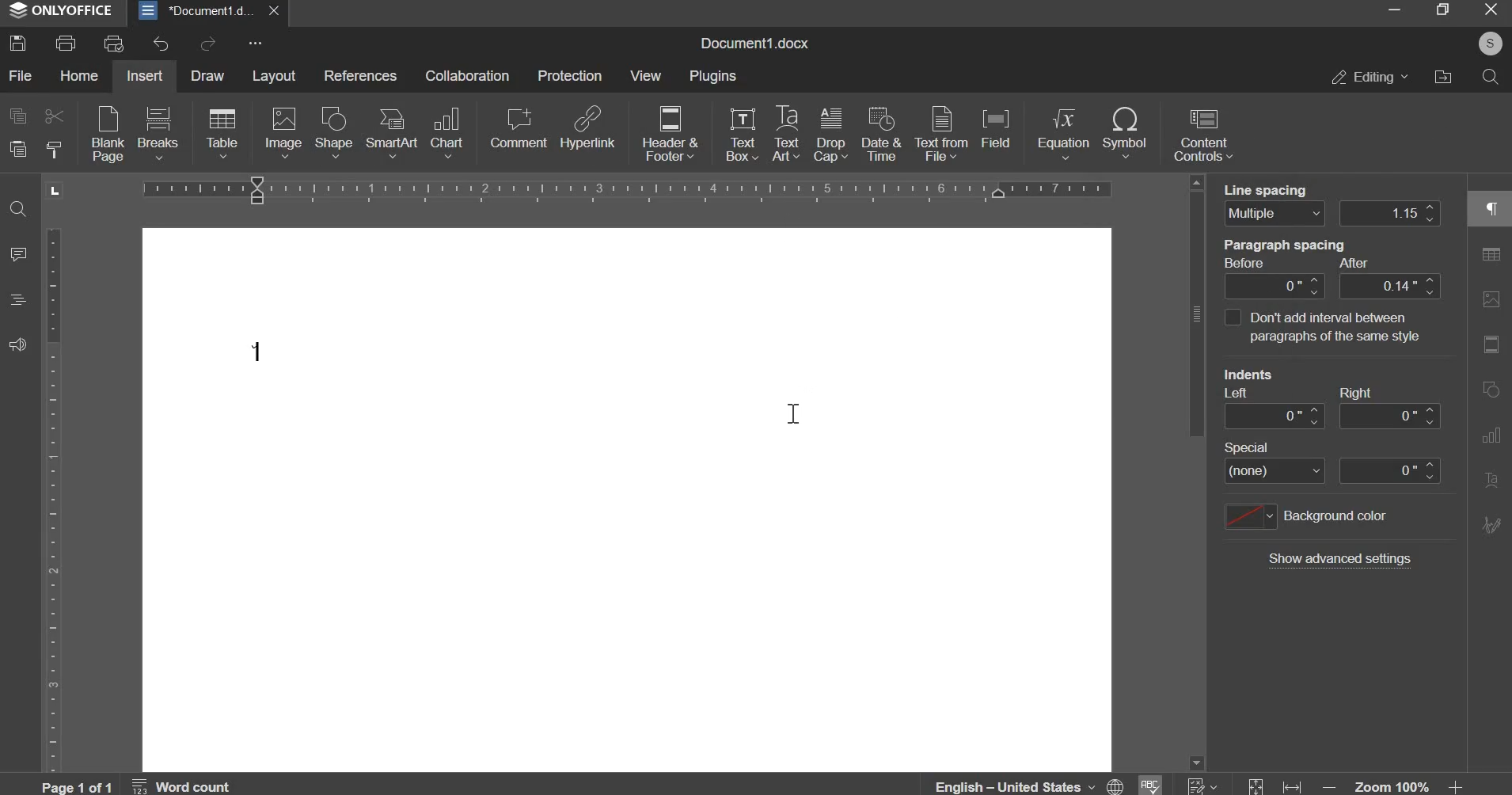 This screenshot has height=795, width=1512. What do you see at coordinates (1270, 186) in the screenshot?
I see `line spacing` at bounding box center [1270, 186].